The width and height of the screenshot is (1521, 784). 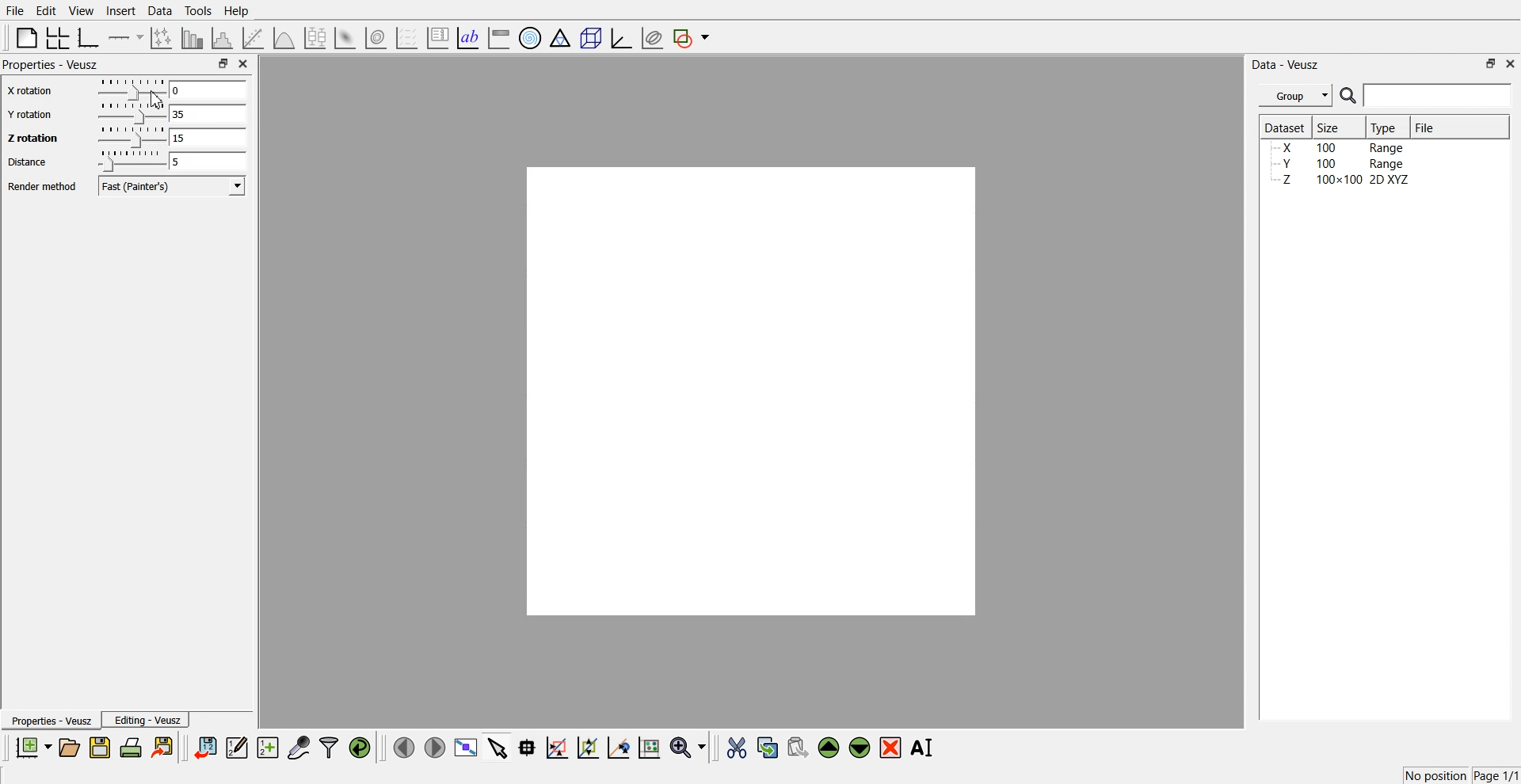 What do you see at coordinates (924, 748) in the screenshot?
I see `Rename the selected widget` at bounding box center [924, 748].